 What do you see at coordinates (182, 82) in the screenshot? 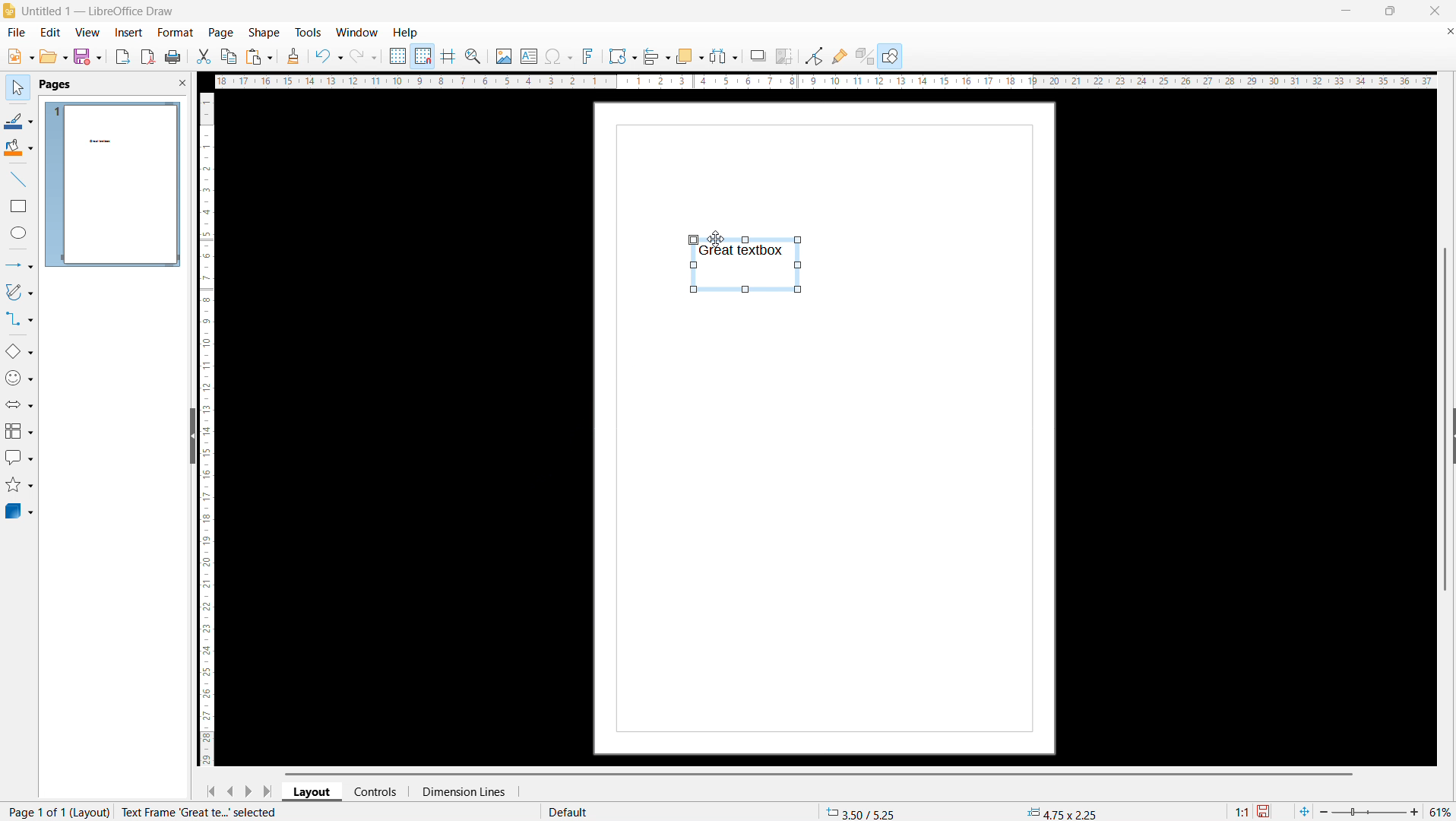
I see `close pane` at bounding box center [182, 82].